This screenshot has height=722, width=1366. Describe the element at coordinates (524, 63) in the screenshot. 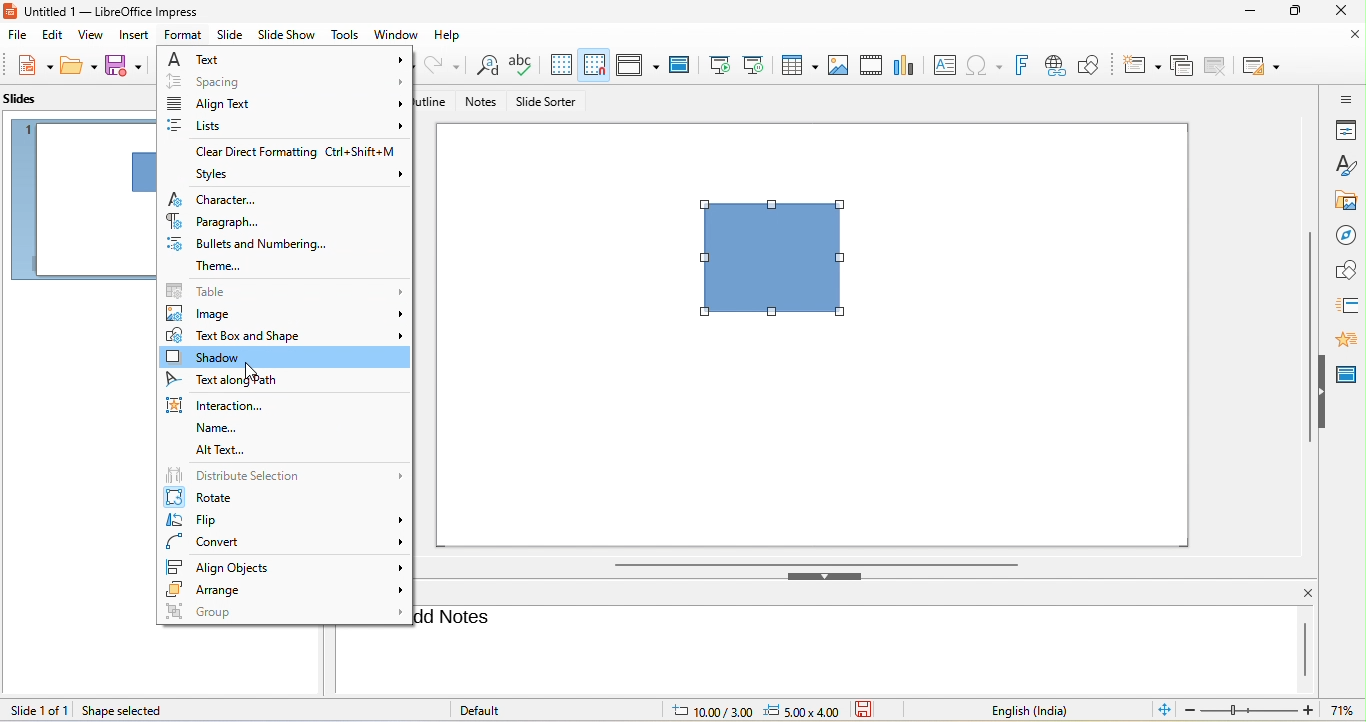

I see `spelling` at that location.